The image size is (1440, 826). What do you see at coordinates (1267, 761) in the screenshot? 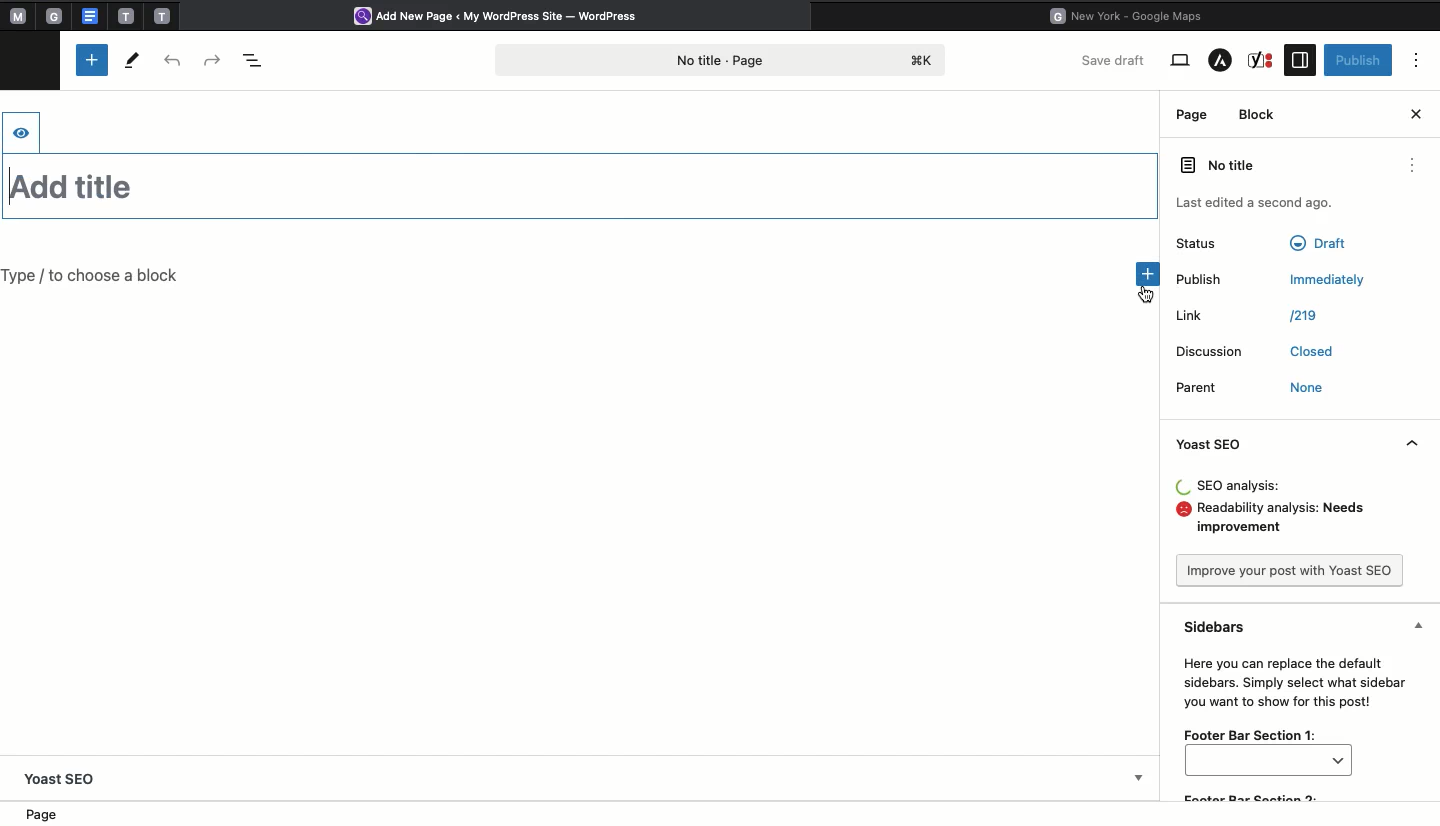
I see `bar` at bounding box center [1267, 761].